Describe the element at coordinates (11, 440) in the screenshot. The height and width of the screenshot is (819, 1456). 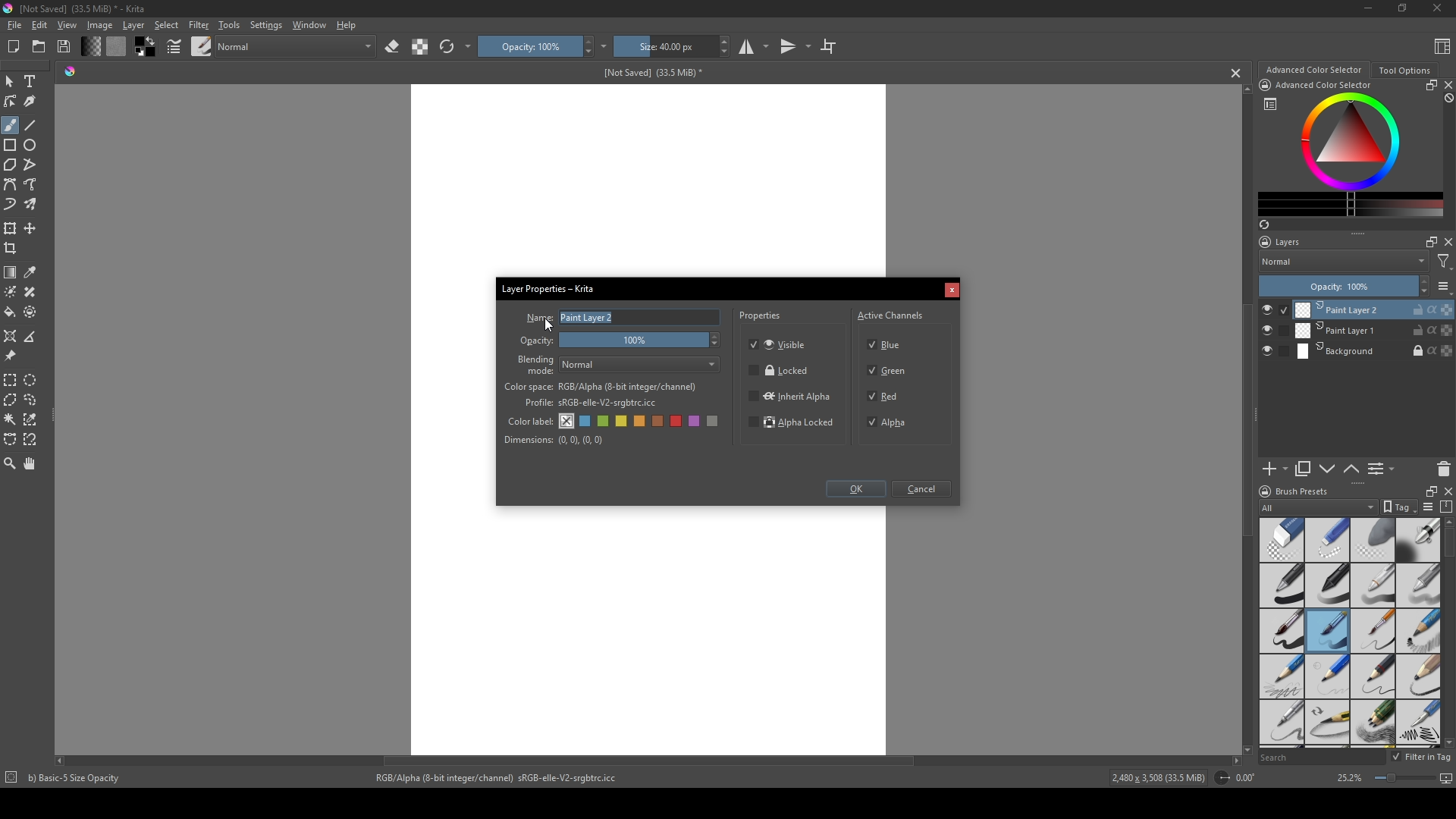
I see `bezier curve` at that location.